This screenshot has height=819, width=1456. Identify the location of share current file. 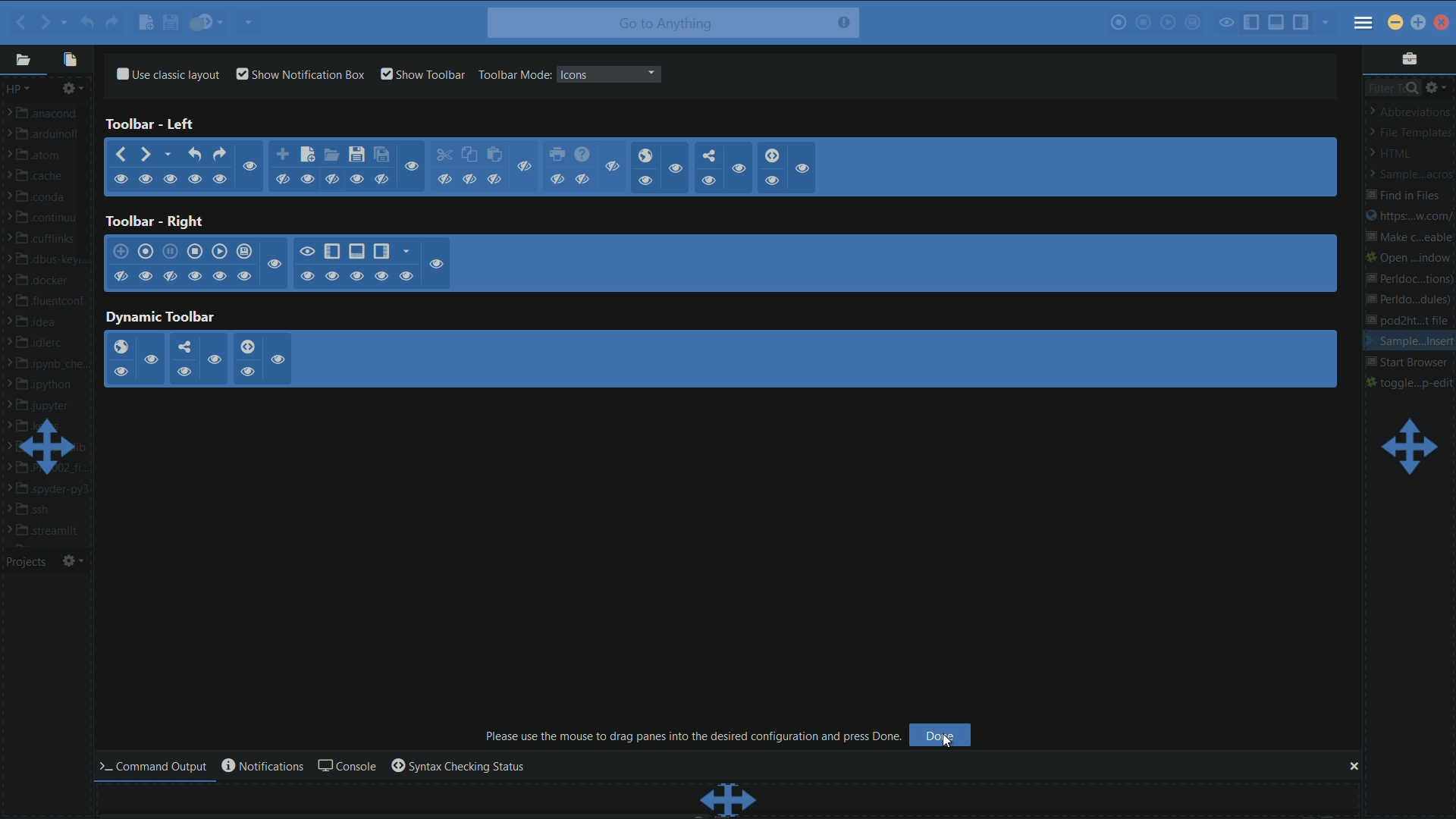
(249, 22).